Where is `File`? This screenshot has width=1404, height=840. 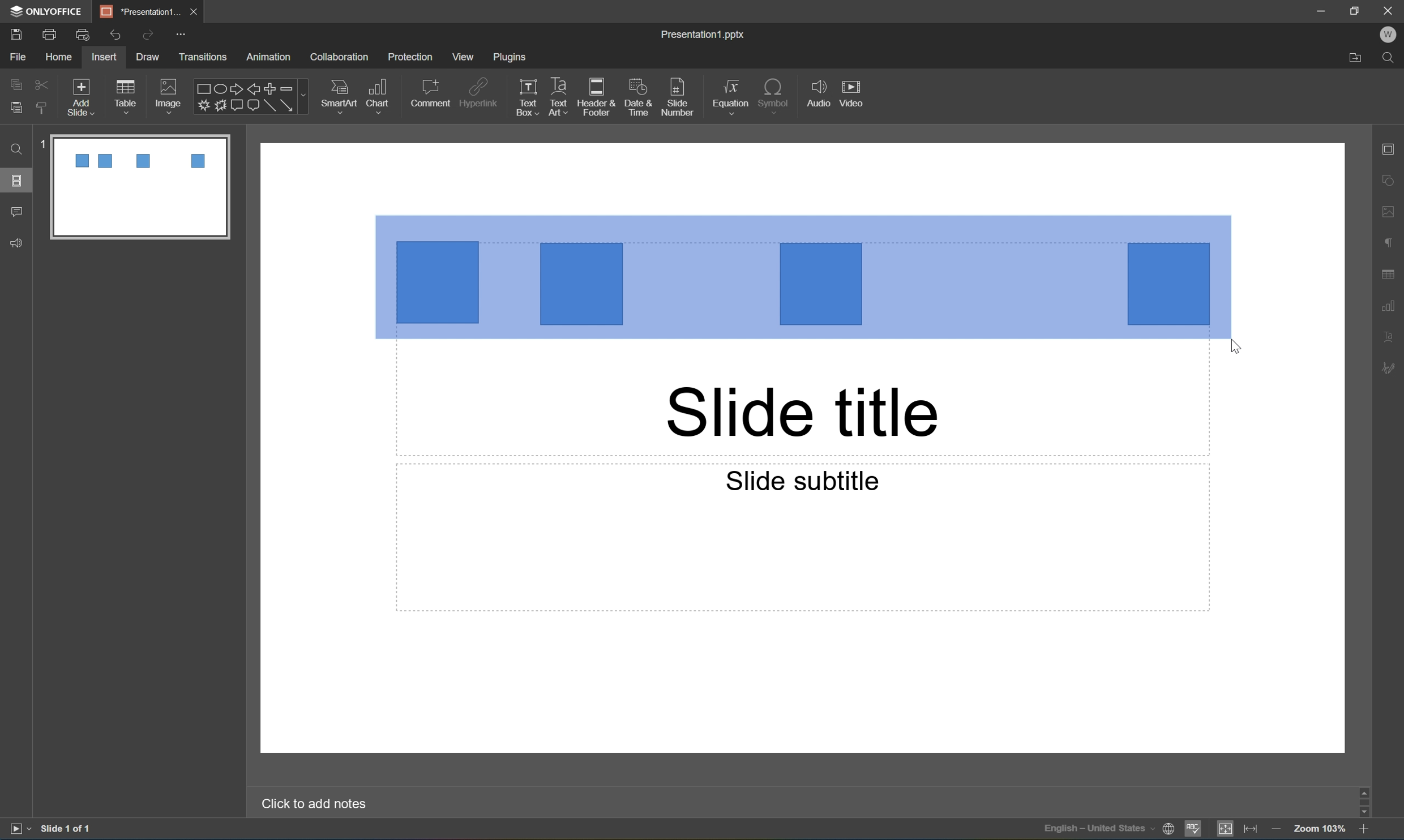 File is located at coordinates (20, 58).